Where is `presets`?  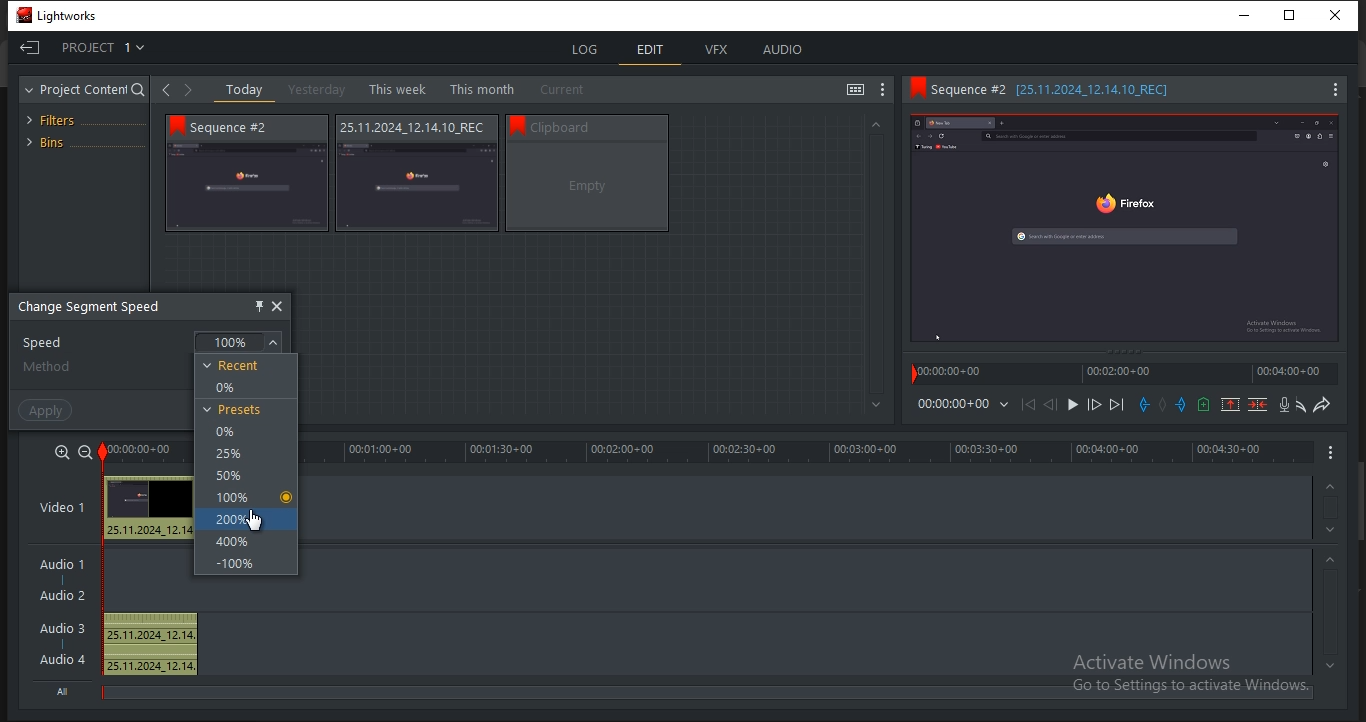 presets is located at coordinates (241, 410).